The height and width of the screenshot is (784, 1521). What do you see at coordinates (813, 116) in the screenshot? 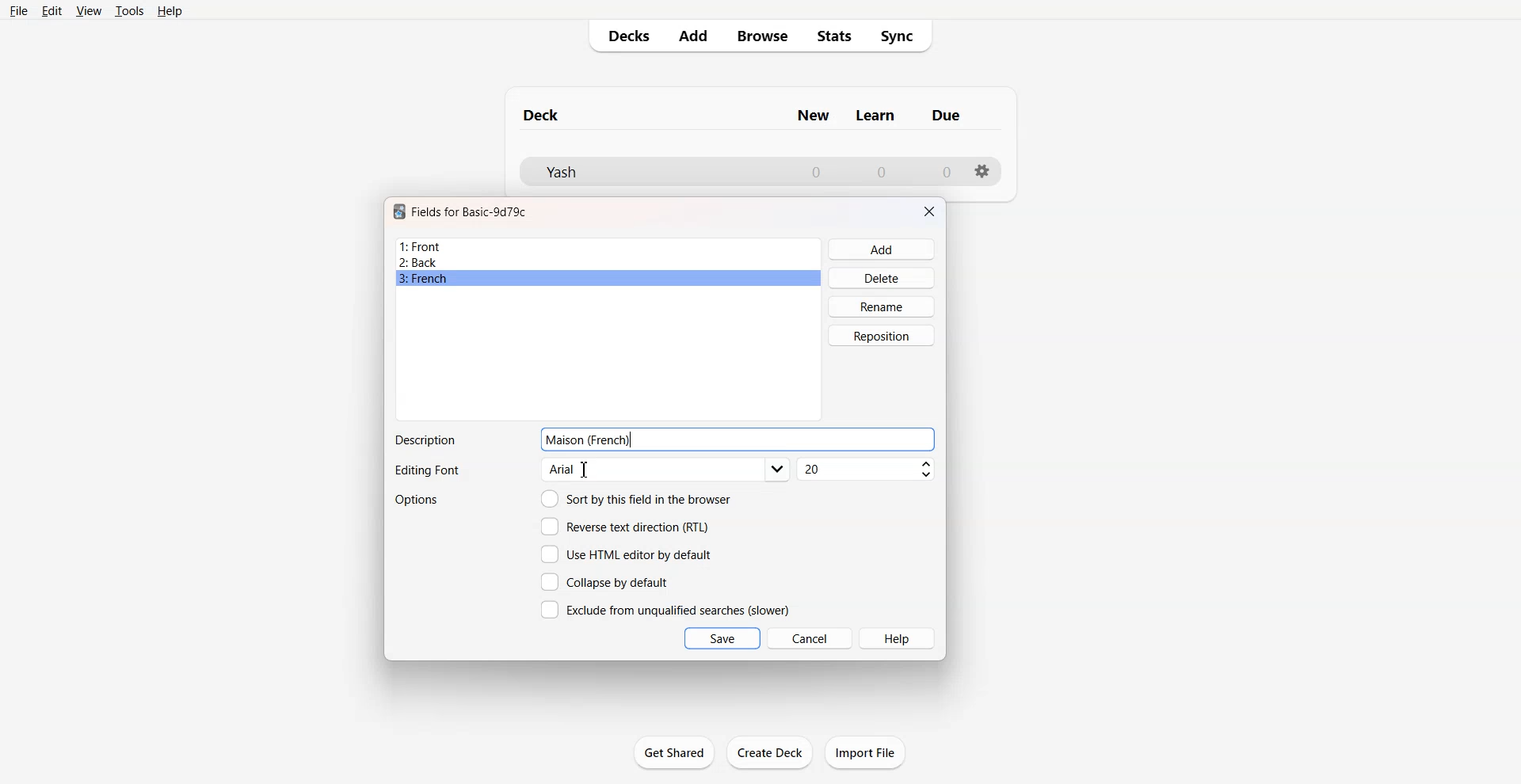
I see `Column name` at bounding box center [813, 116].